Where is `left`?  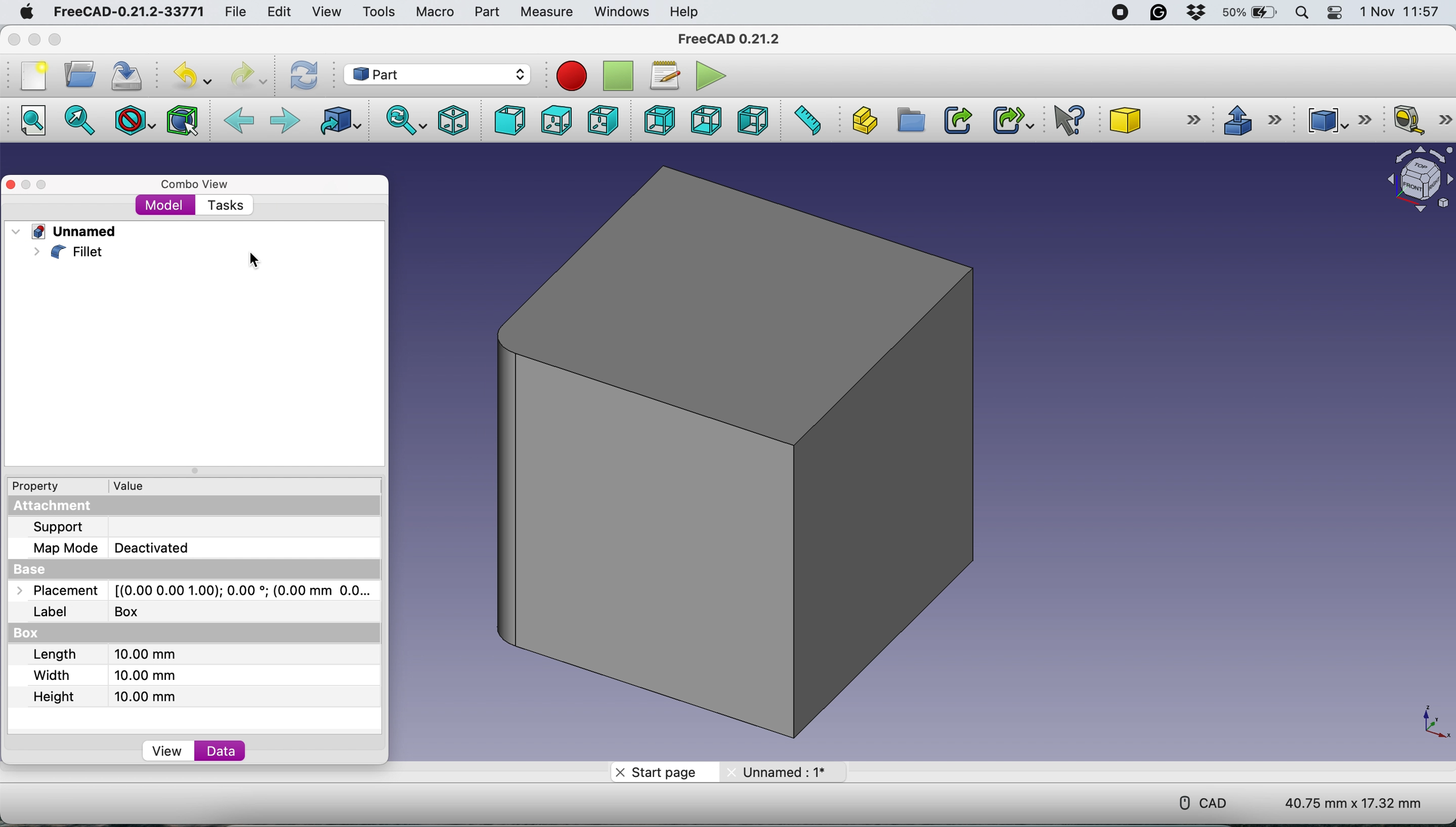
left is located at coordinates (752, 119).